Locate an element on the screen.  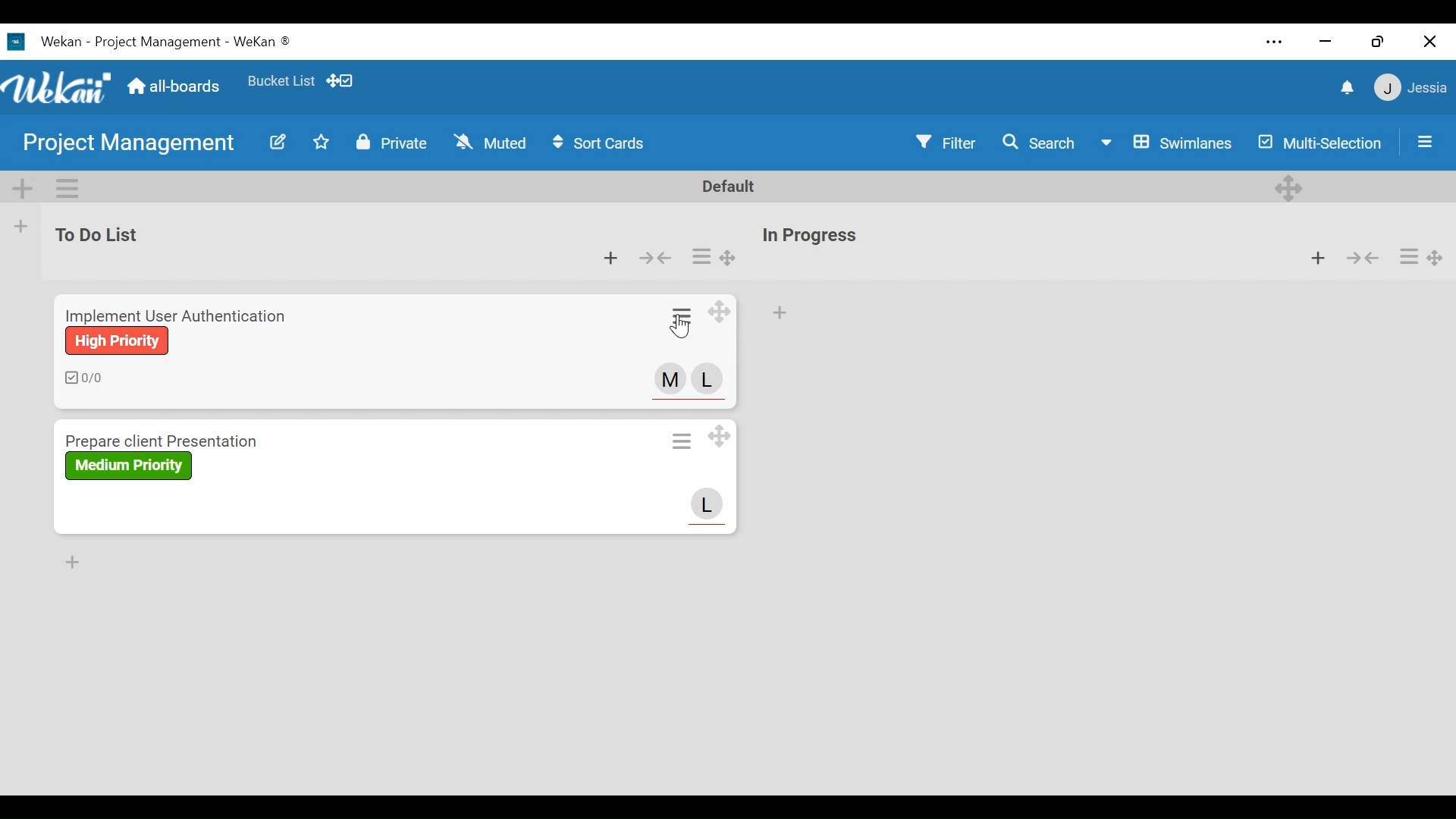
Desktop drag handle is located at coordinates (1436, 257).